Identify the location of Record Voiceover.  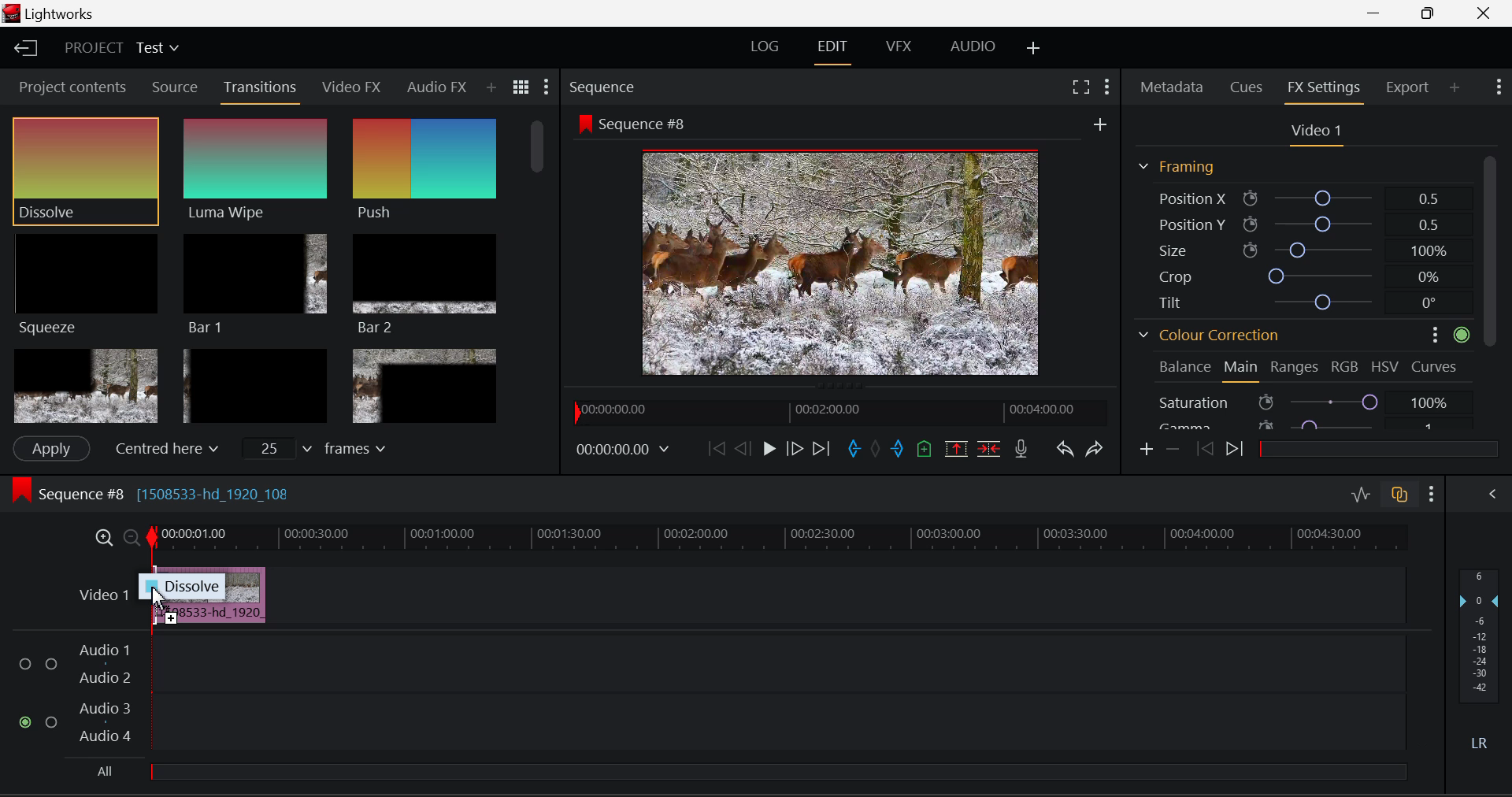
(1022, 449).